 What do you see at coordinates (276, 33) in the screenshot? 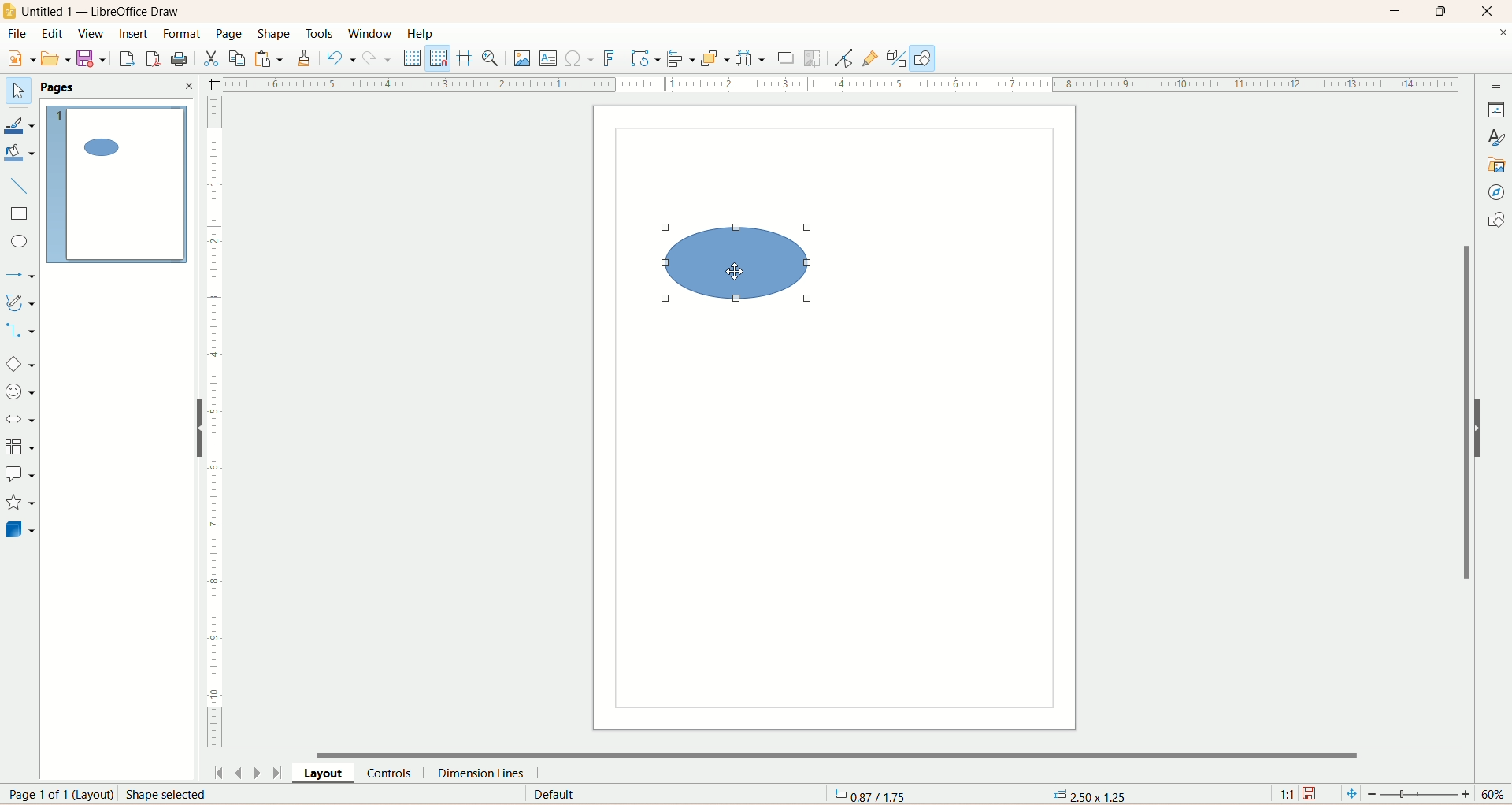
I see `shape` at bounding box center [276, 33].